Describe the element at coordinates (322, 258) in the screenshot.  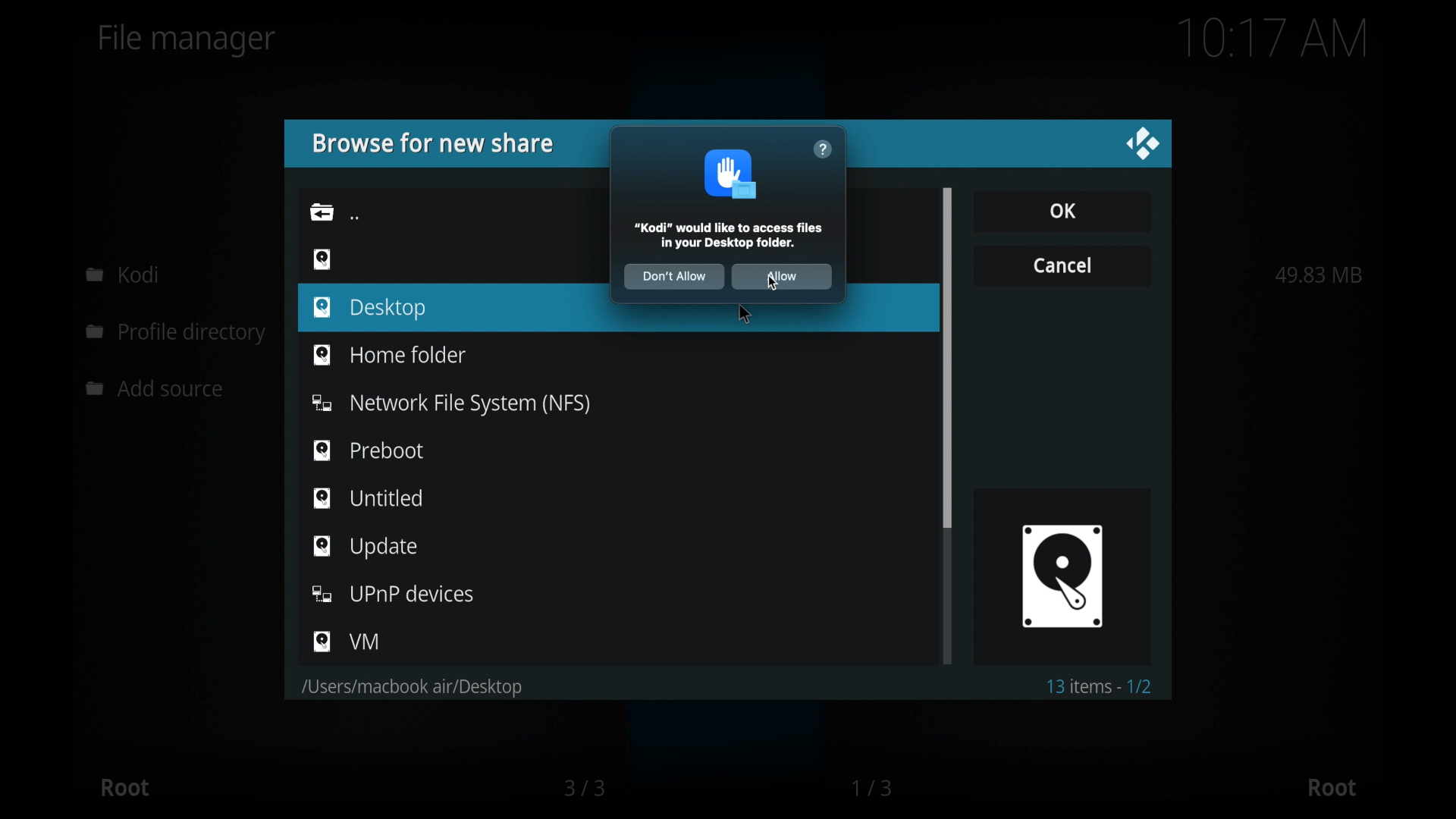
I see `icon` at that location.